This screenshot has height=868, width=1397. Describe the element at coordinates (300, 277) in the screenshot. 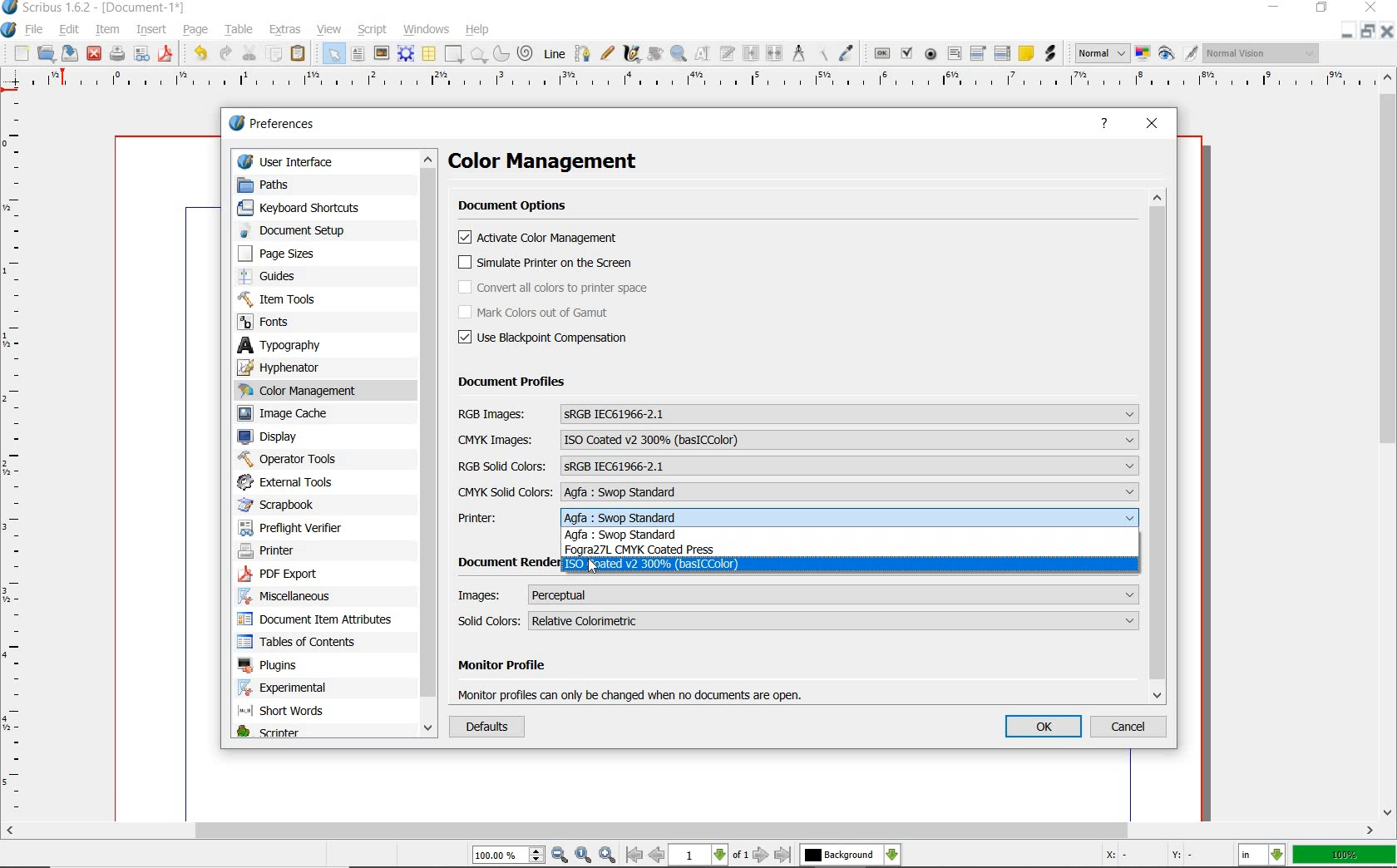

I see `guides` at that location.